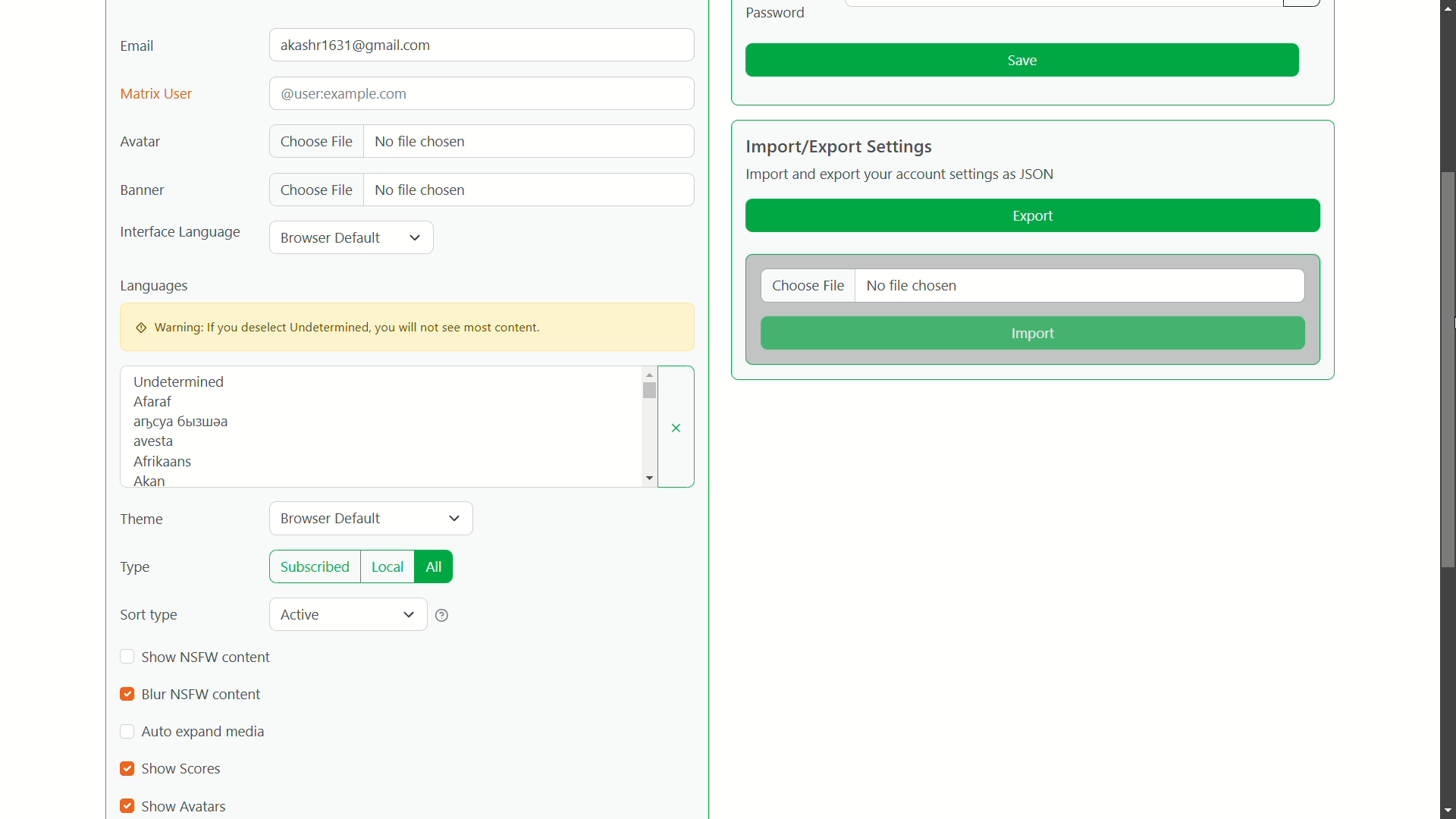 The image size is (1456, 819). What do you see at coordinates (316, 143) in the screenshot?
I see `choose file` at bounding box center [316, 143].